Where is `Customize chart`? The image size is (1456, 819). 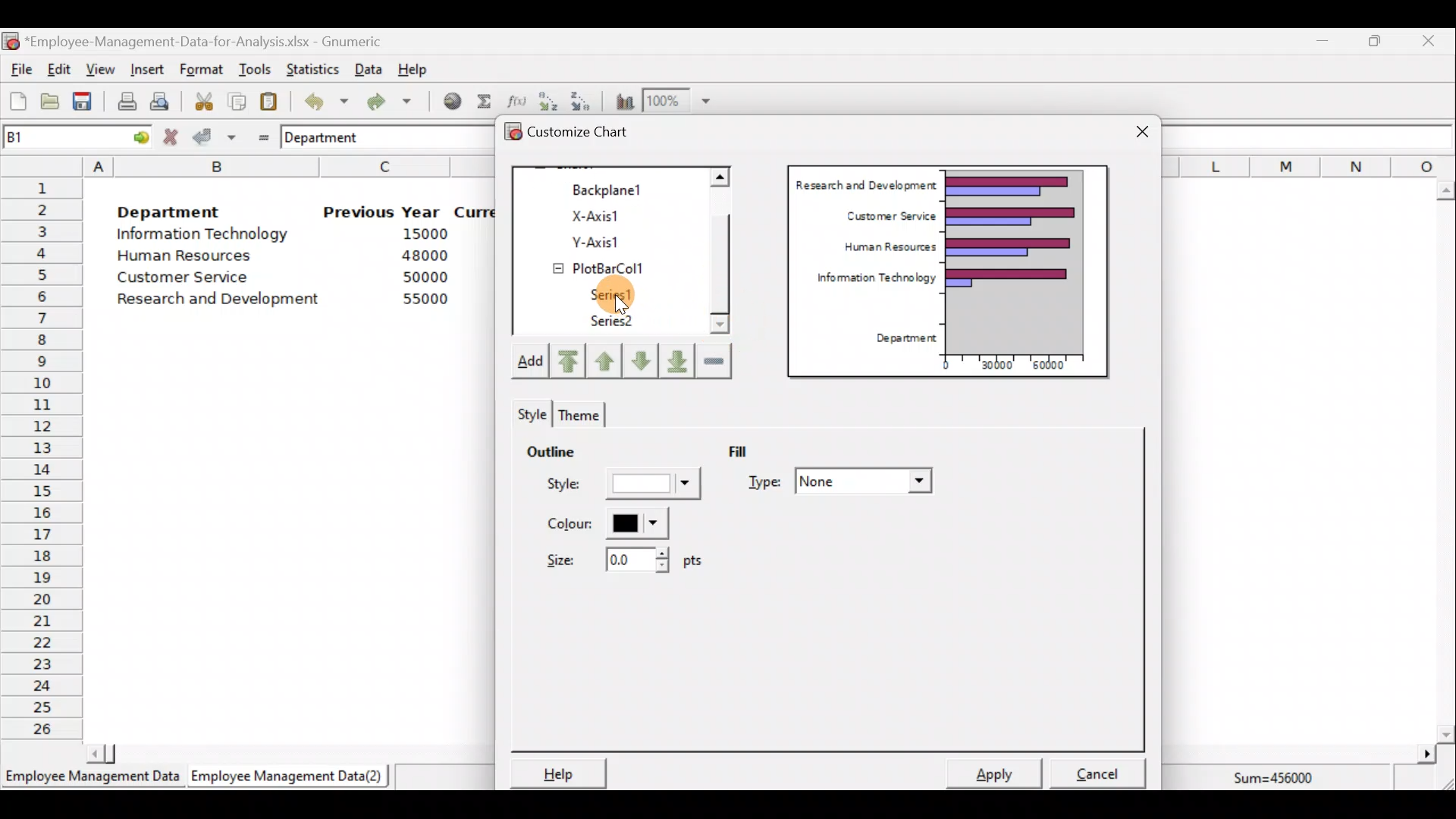
Customize chart is located at coordinates (588, 134).